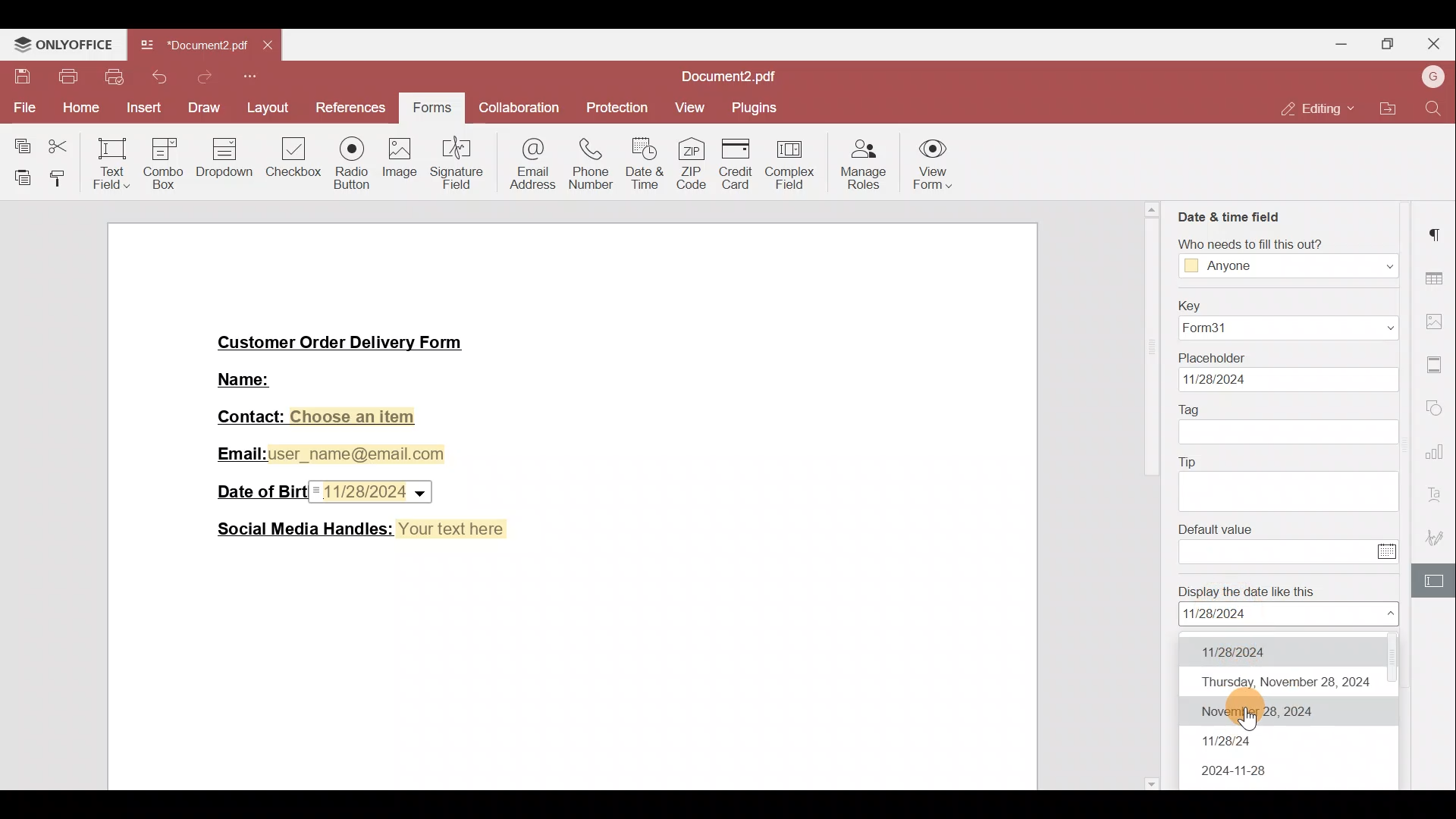 The image size is (1456, 819). Describe the element at coordinates (1436, 365) in the screenshot. I see `More settings` at that location.